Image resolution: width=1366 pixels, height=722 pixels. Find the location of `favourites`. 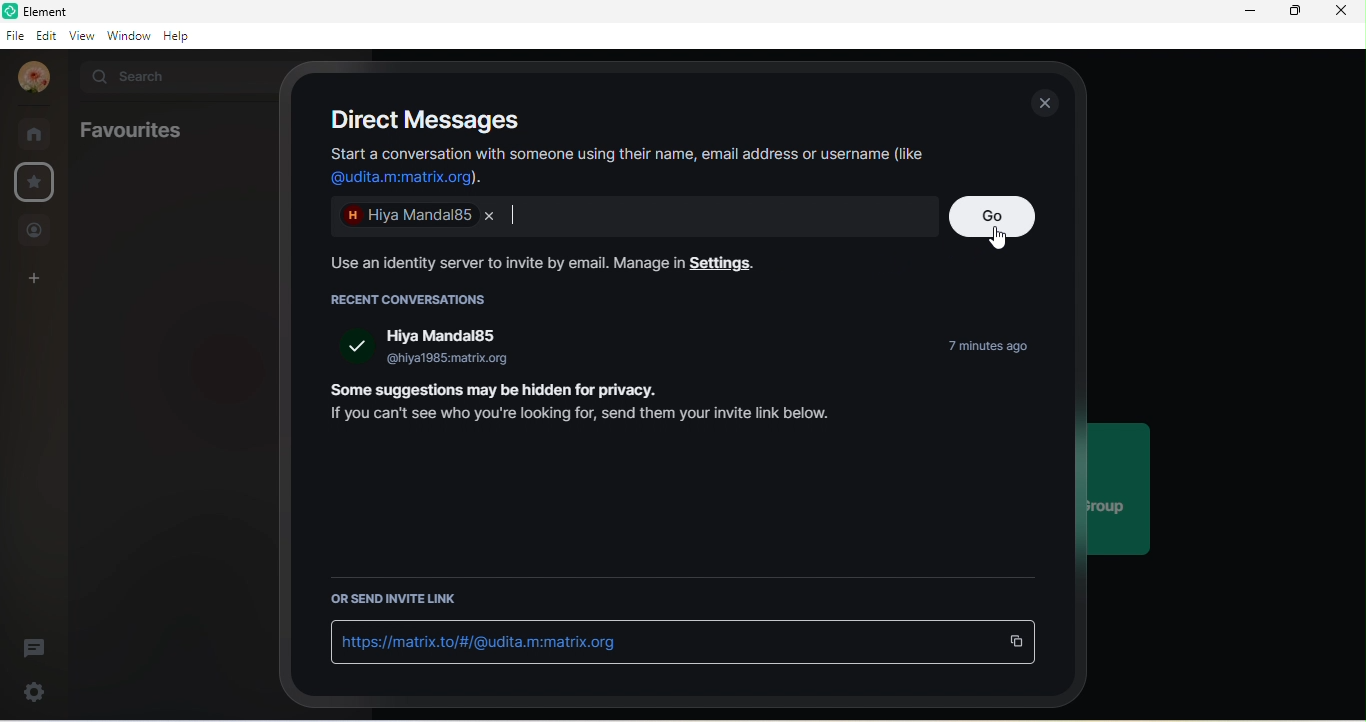

favourites is located at coordinates (129, 130).